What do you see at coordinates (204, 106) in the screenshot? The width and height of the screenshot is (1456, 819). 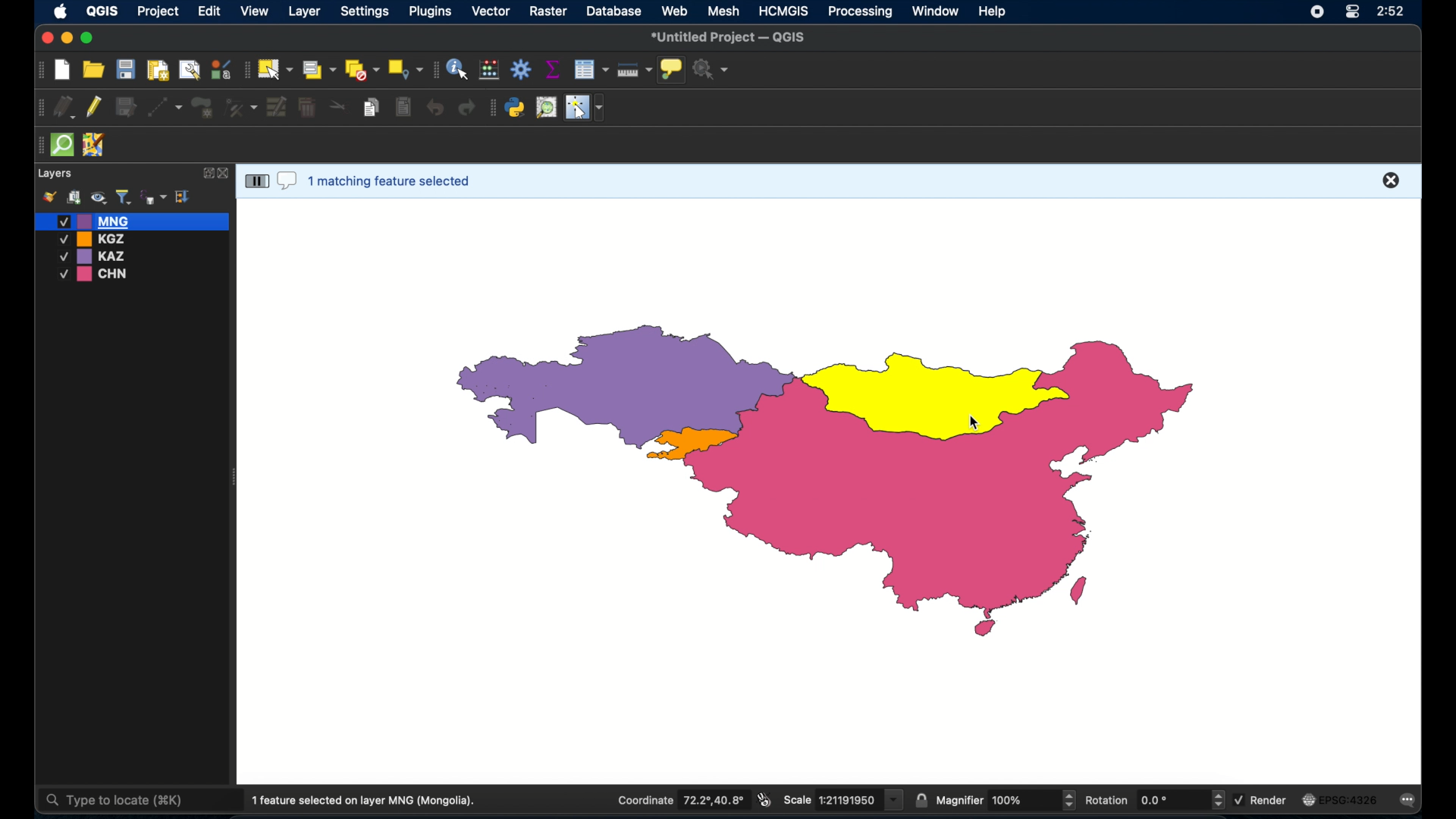 I see `add polygon feature` at bounding box center [204, 106].